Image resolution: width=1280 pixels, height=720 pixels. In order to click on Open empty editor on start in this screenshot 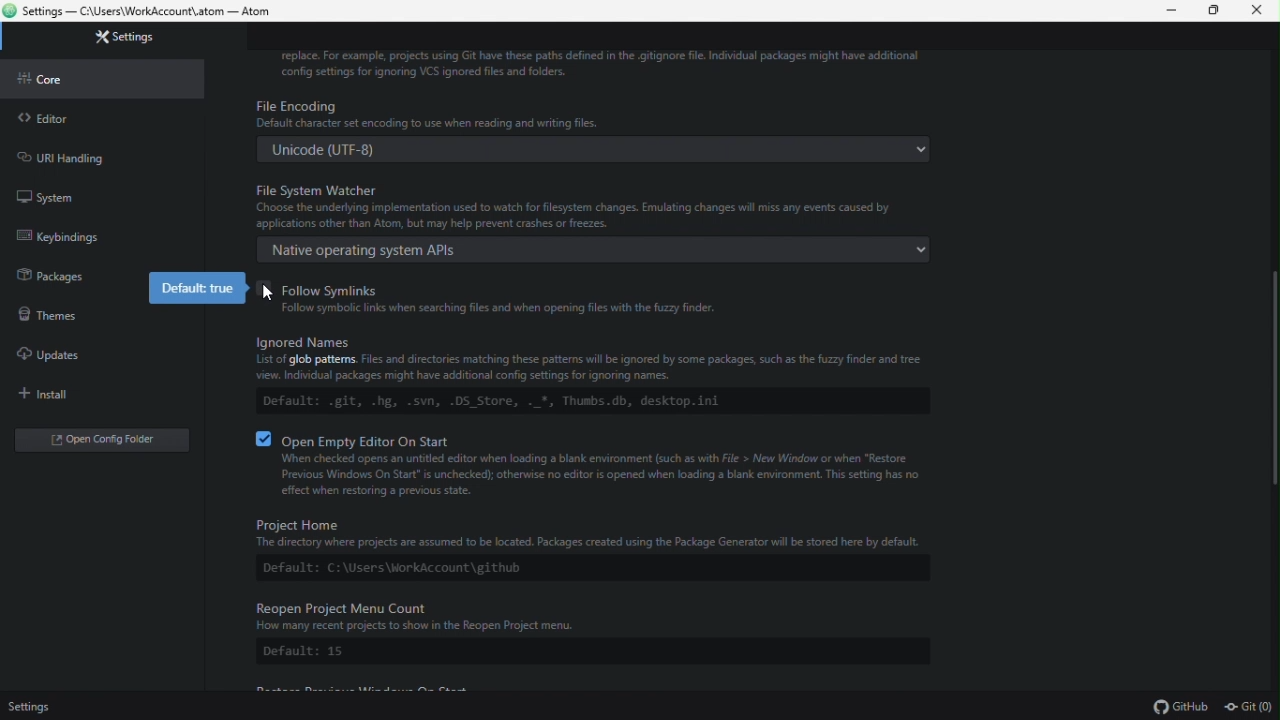, I will do `click(609, 467)`.